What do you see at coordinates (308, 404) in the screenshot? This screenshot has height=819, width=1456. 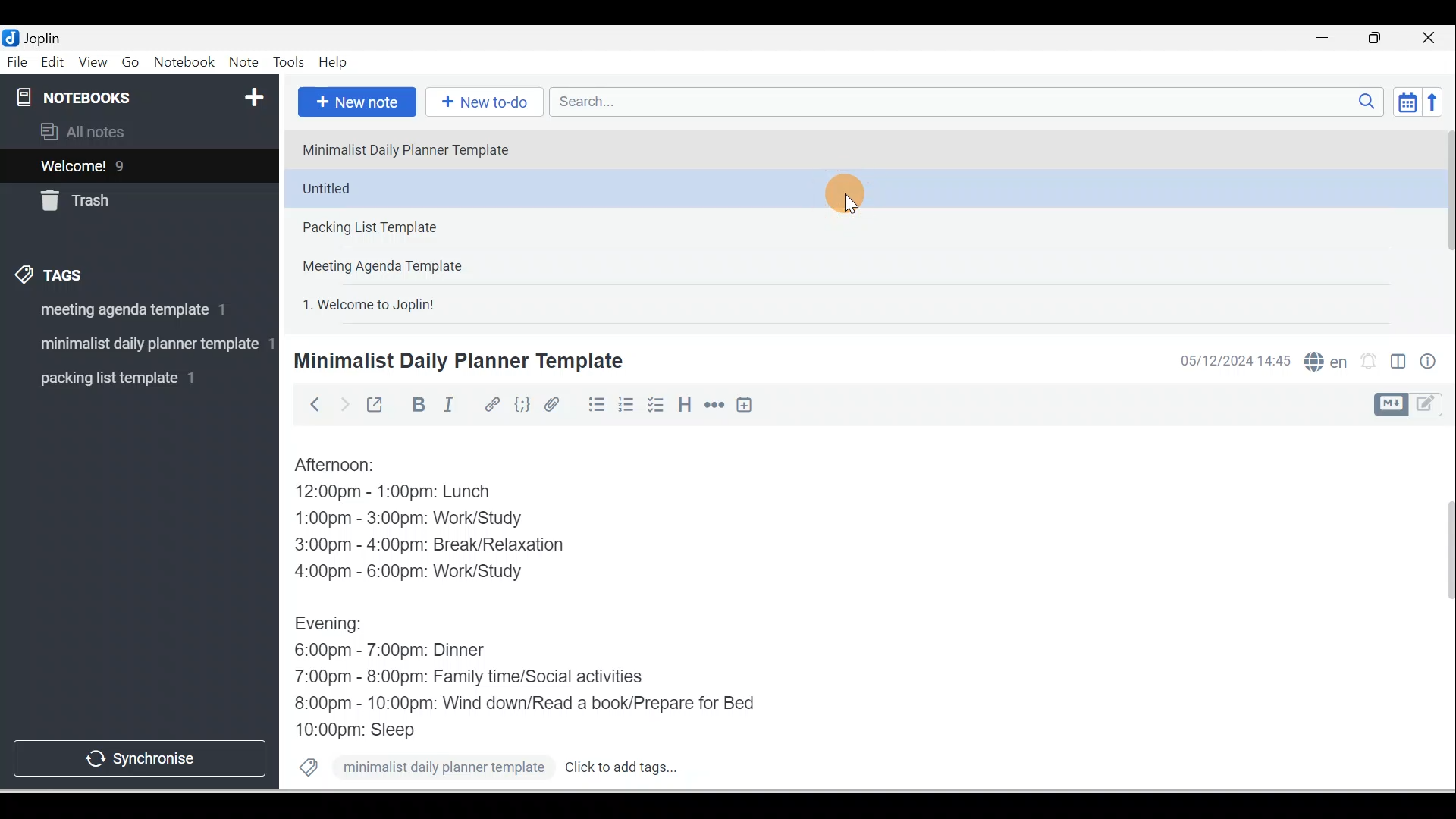 I see `Back` at bounding box center [308, 404].